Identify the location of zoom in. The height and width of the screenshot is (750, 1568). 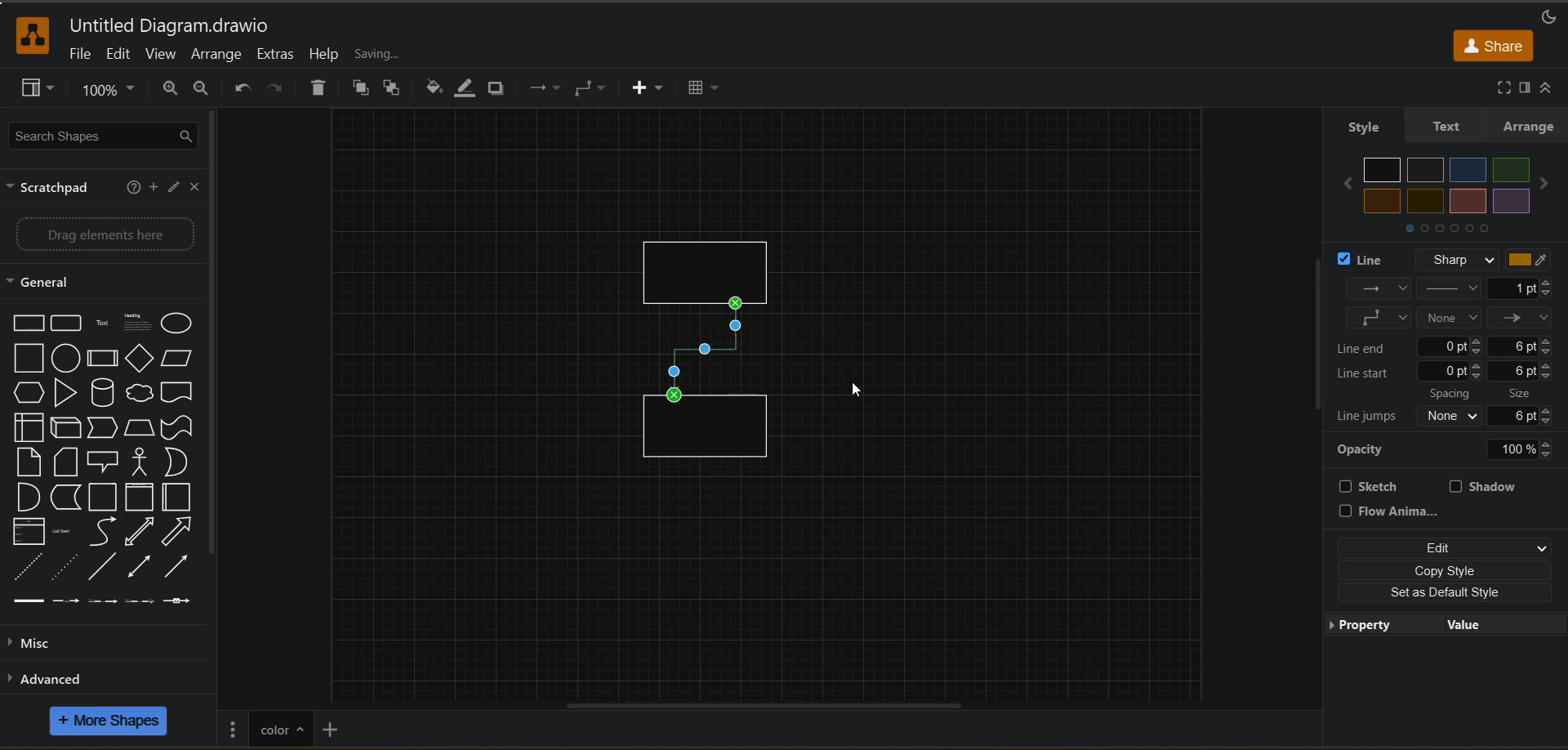
(171, 90).